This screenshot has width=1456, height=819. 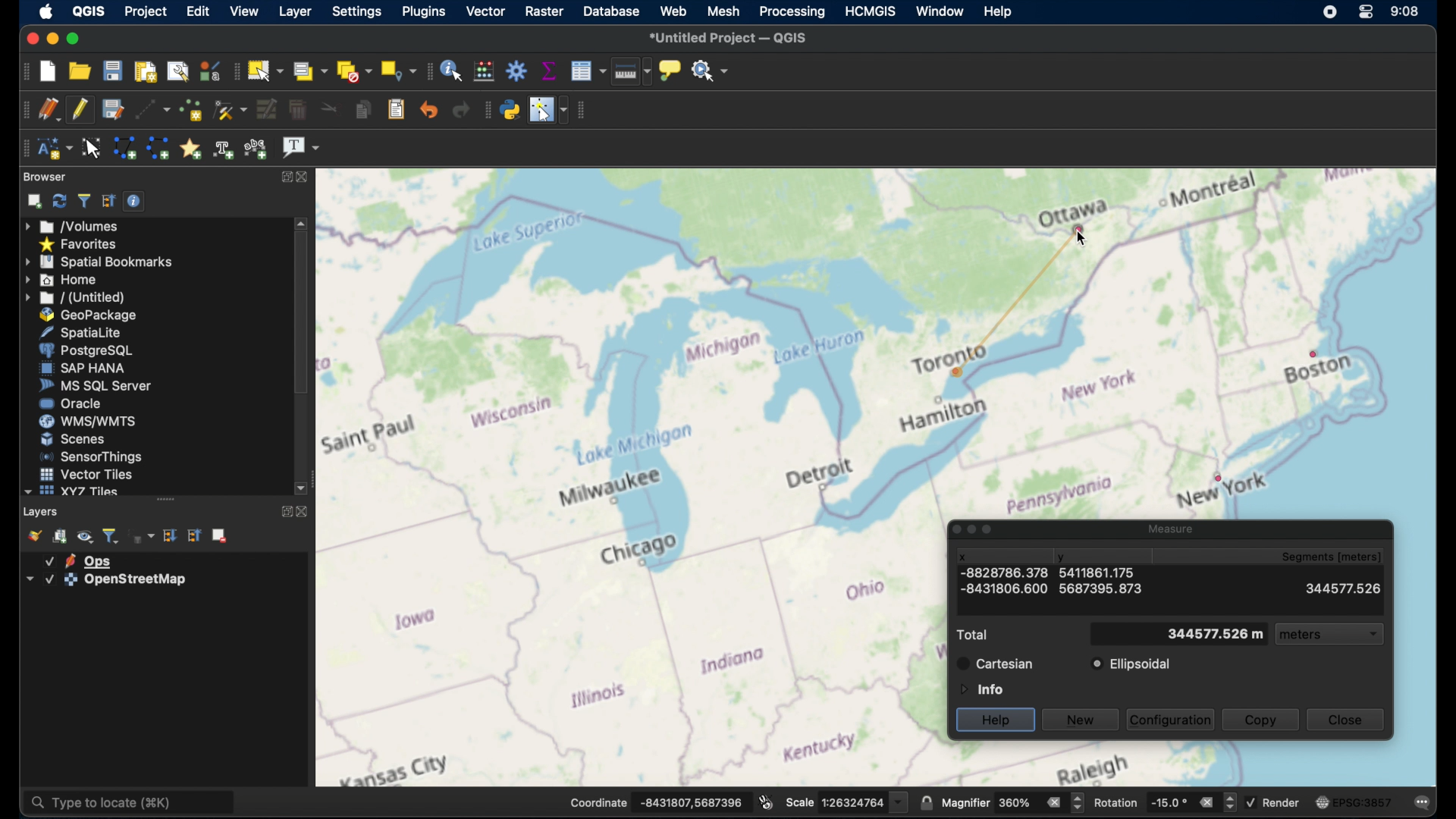 What do you see at coordinates (731, 39) in the screenshot?
I see `untitles project QGIS` at bounding box center [731, 39].